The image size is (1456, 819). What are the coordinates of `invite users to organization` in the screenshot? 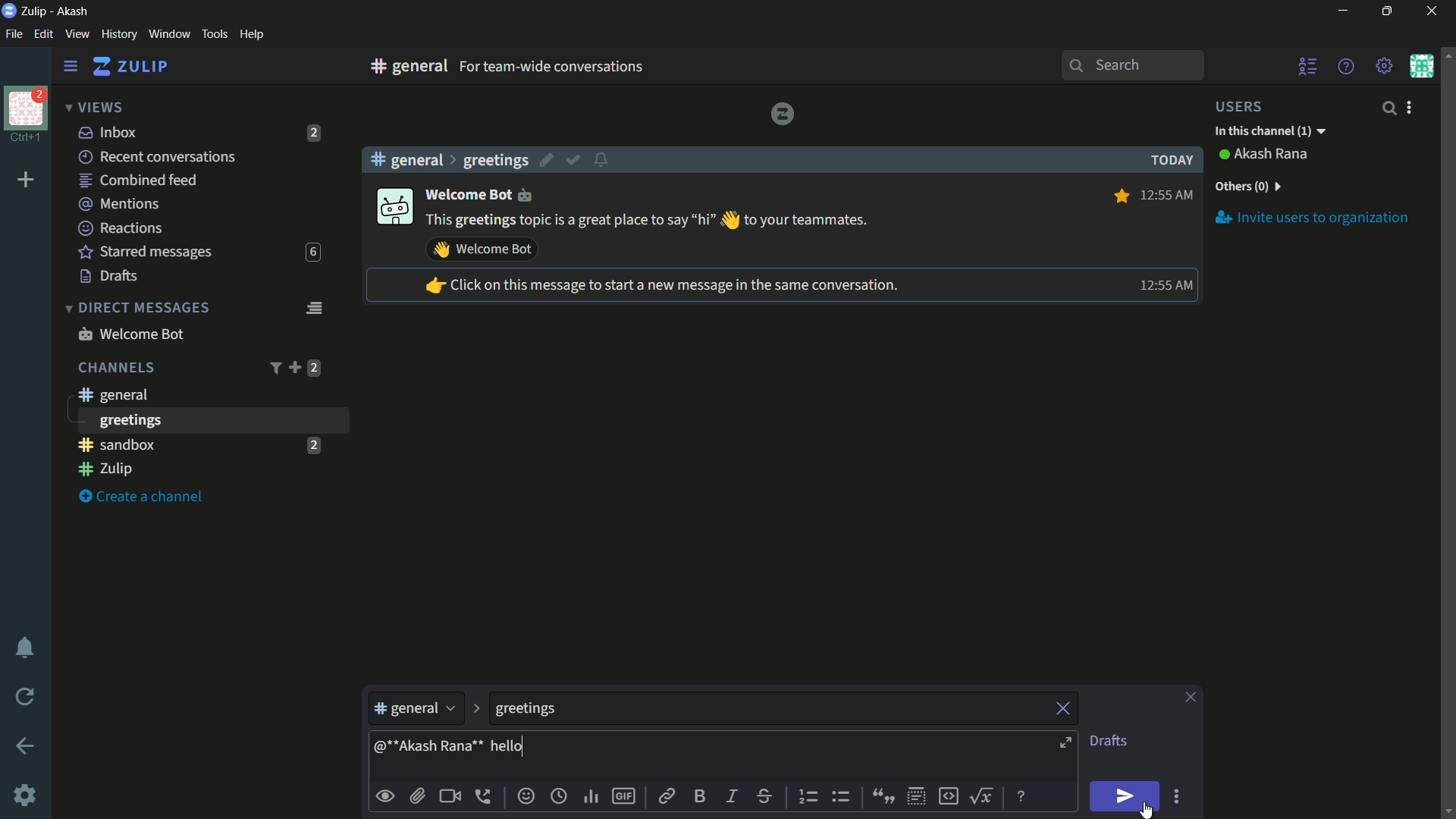 It's located at (1313, 217).